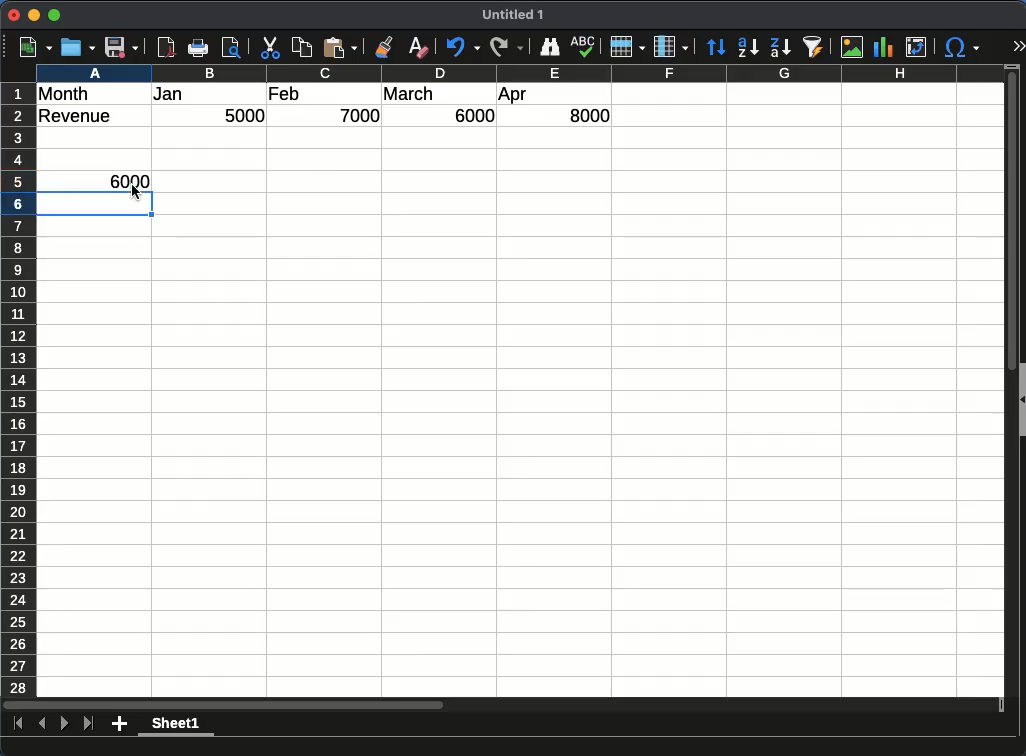  What do you see at coordinates (715, 48) in the screenshot?
I see `sort` at bounding box center [715, 48].